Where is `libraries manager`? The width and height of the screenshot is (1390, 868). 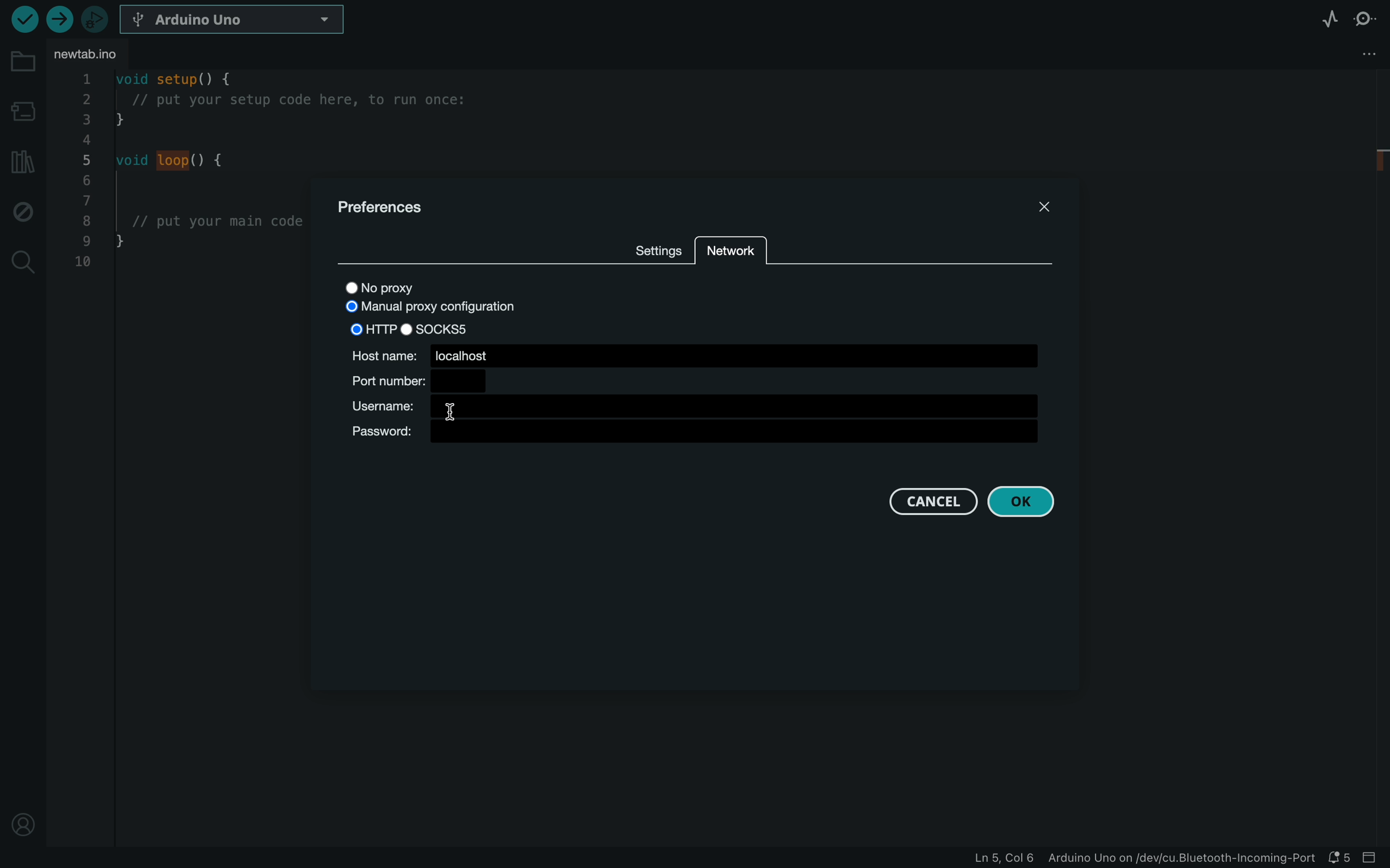
libraries manager is located at coordinates (21, 162).